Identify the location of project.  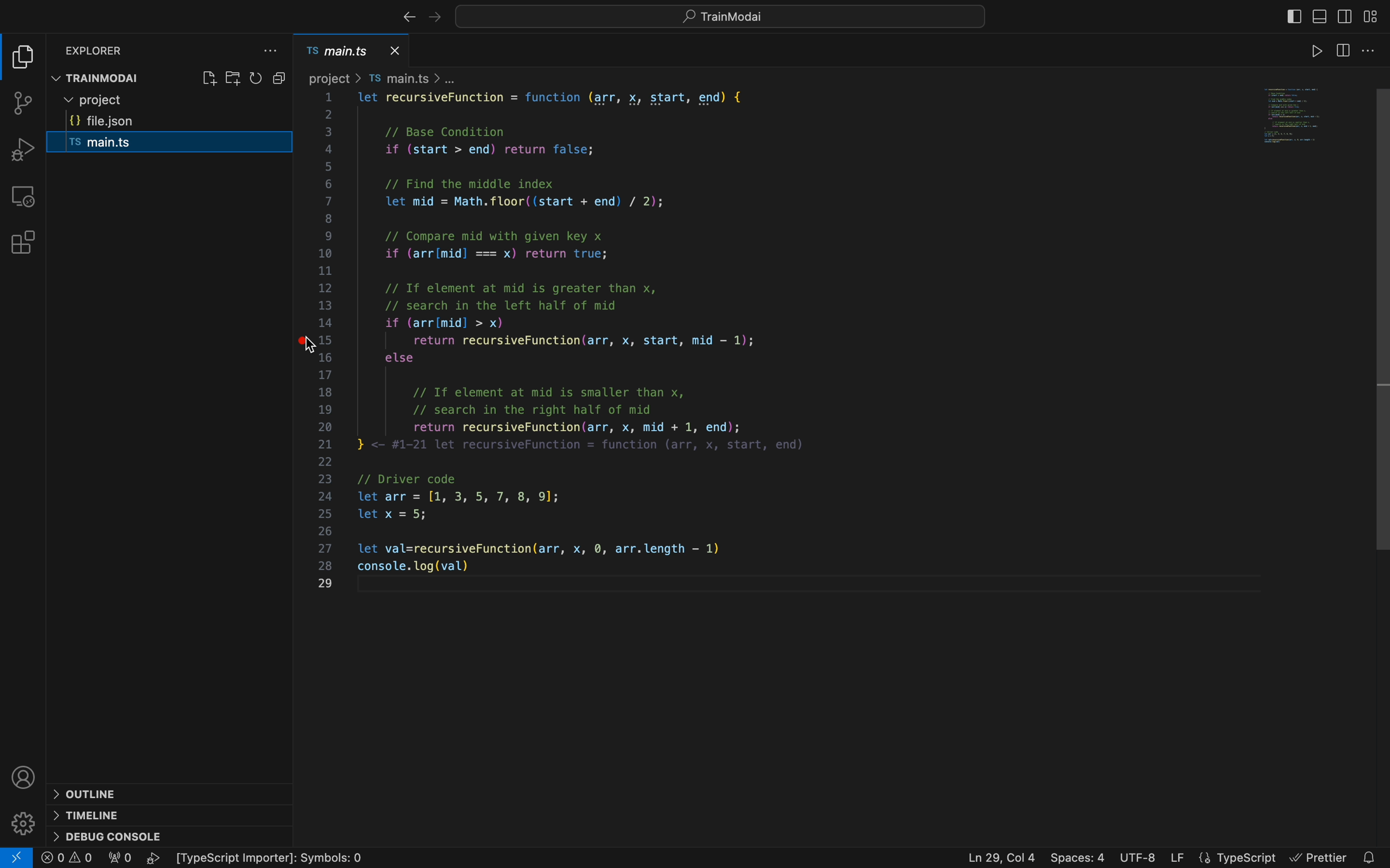
(175, 100).